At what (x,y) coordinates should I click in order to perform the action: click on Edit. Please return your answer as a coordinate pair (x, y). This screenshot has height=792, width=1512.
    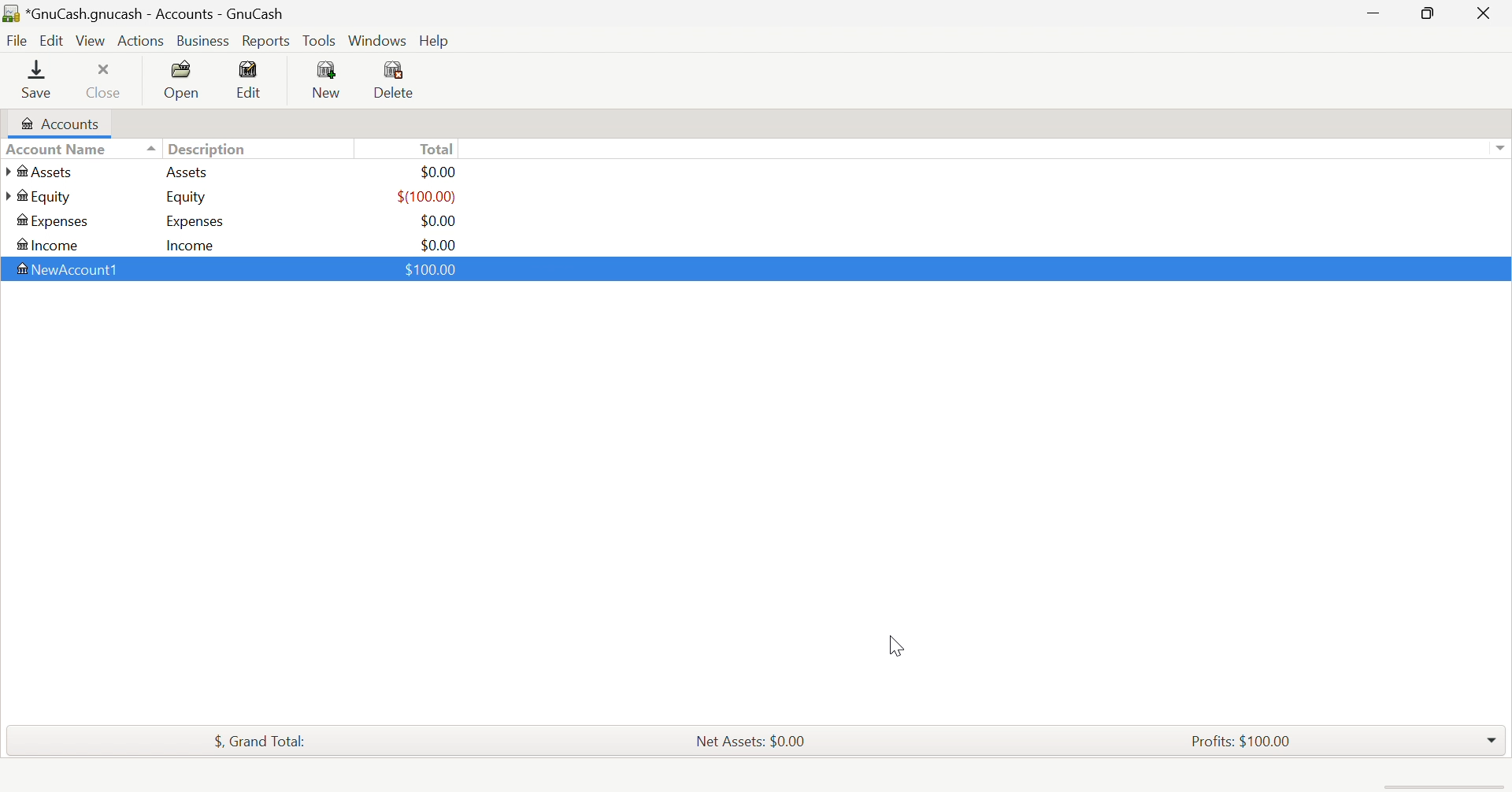
    Looking at the image, I should click on (254, 77).